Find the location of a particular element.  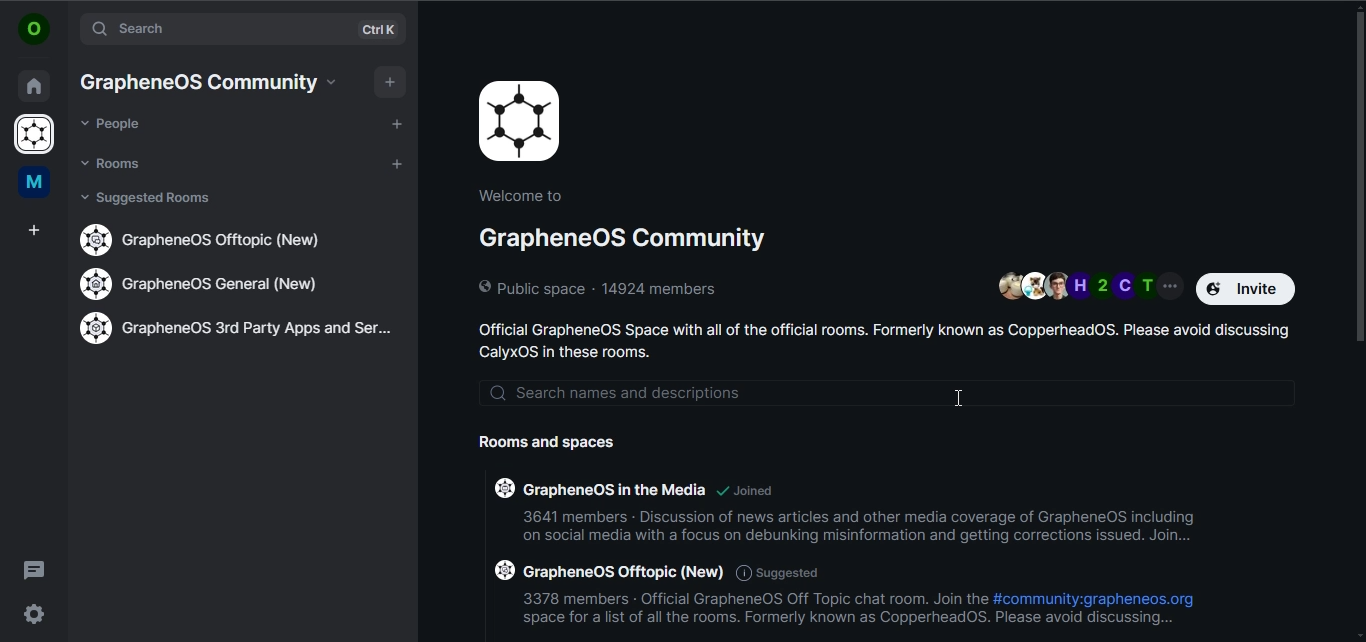

GrapheneOS Commuynity is located at coordinates (197, 82).